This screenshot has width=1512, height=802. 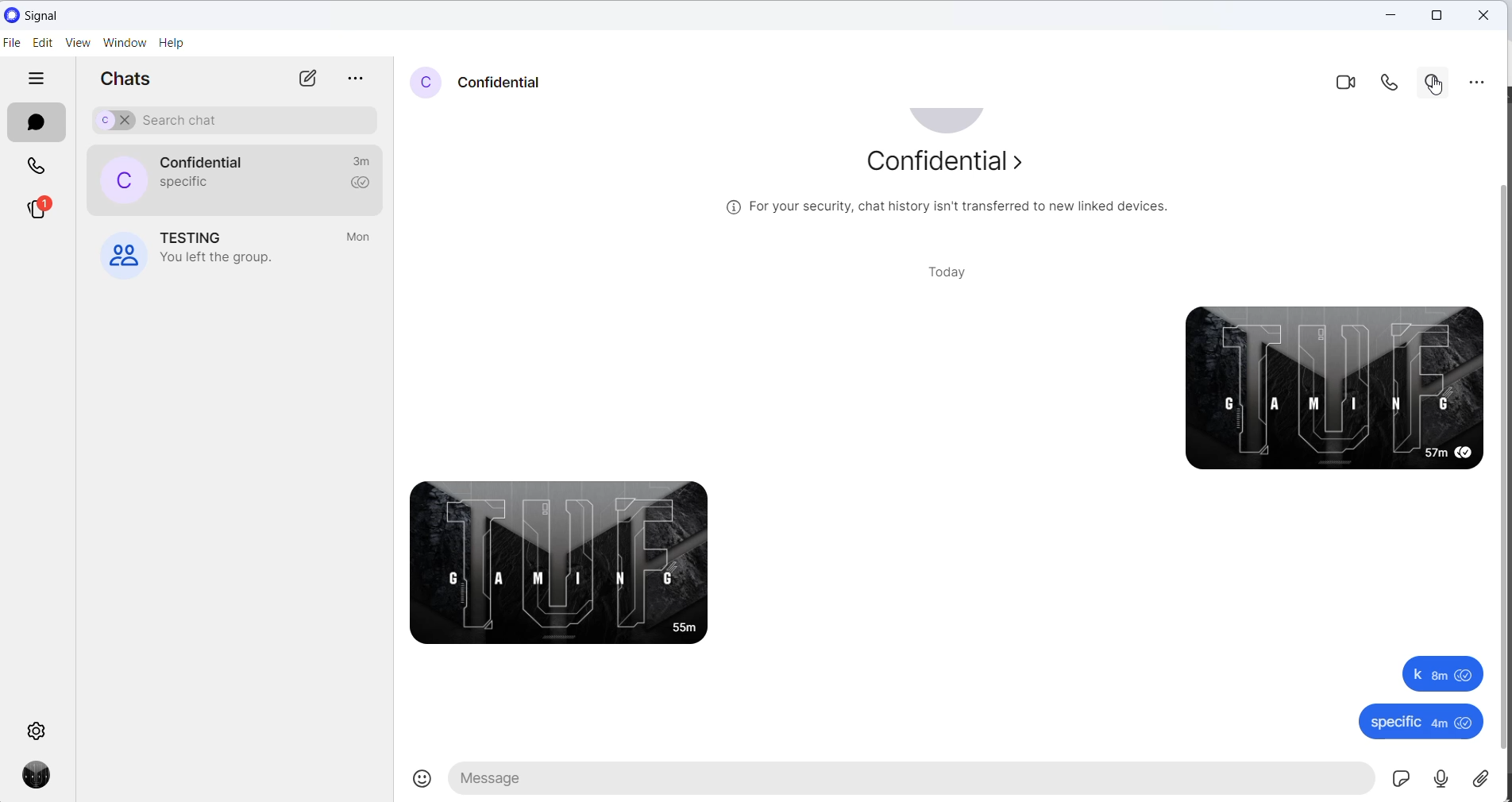 I want to click on k, so click(x=1429, y=671).